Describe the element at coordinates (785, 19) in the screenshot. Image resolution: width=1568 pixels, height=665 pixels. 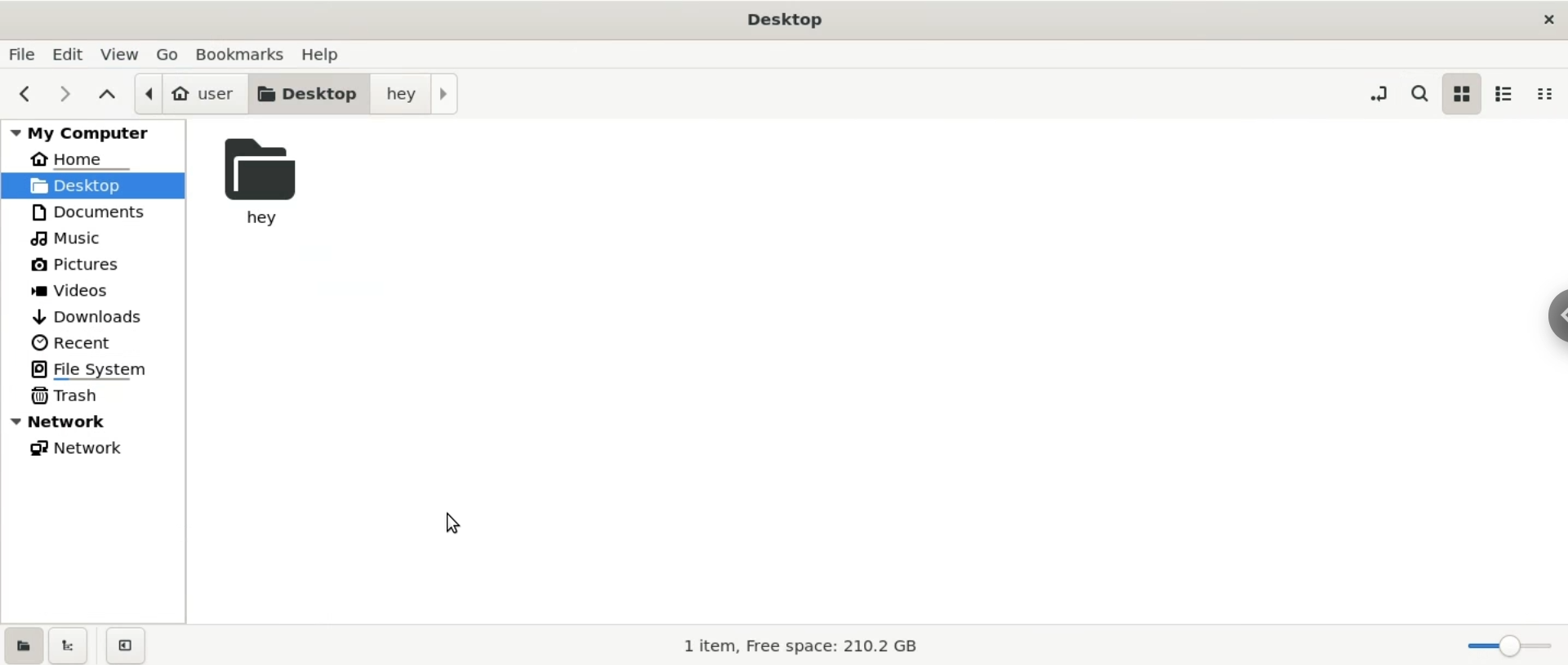
I see `Desktop` at that location.